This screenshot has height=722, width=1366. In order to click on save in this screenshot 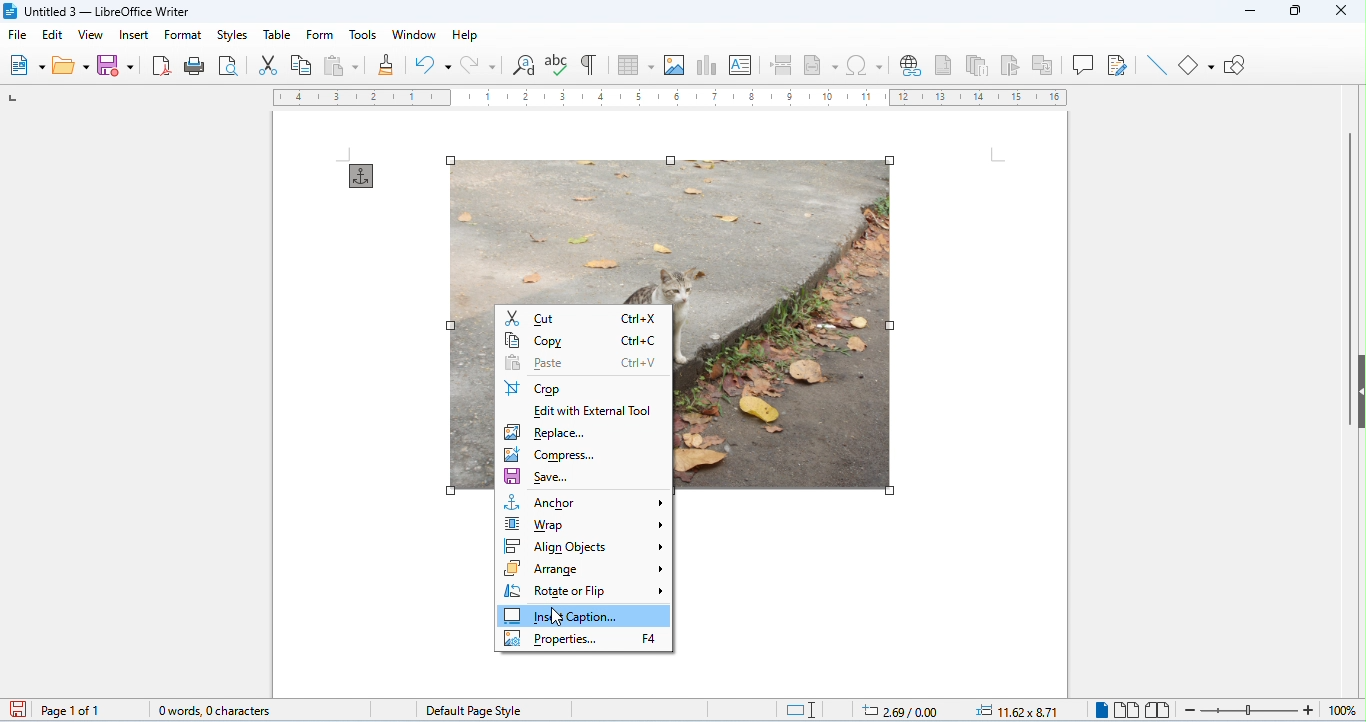, I will do `click(120, 65)`.